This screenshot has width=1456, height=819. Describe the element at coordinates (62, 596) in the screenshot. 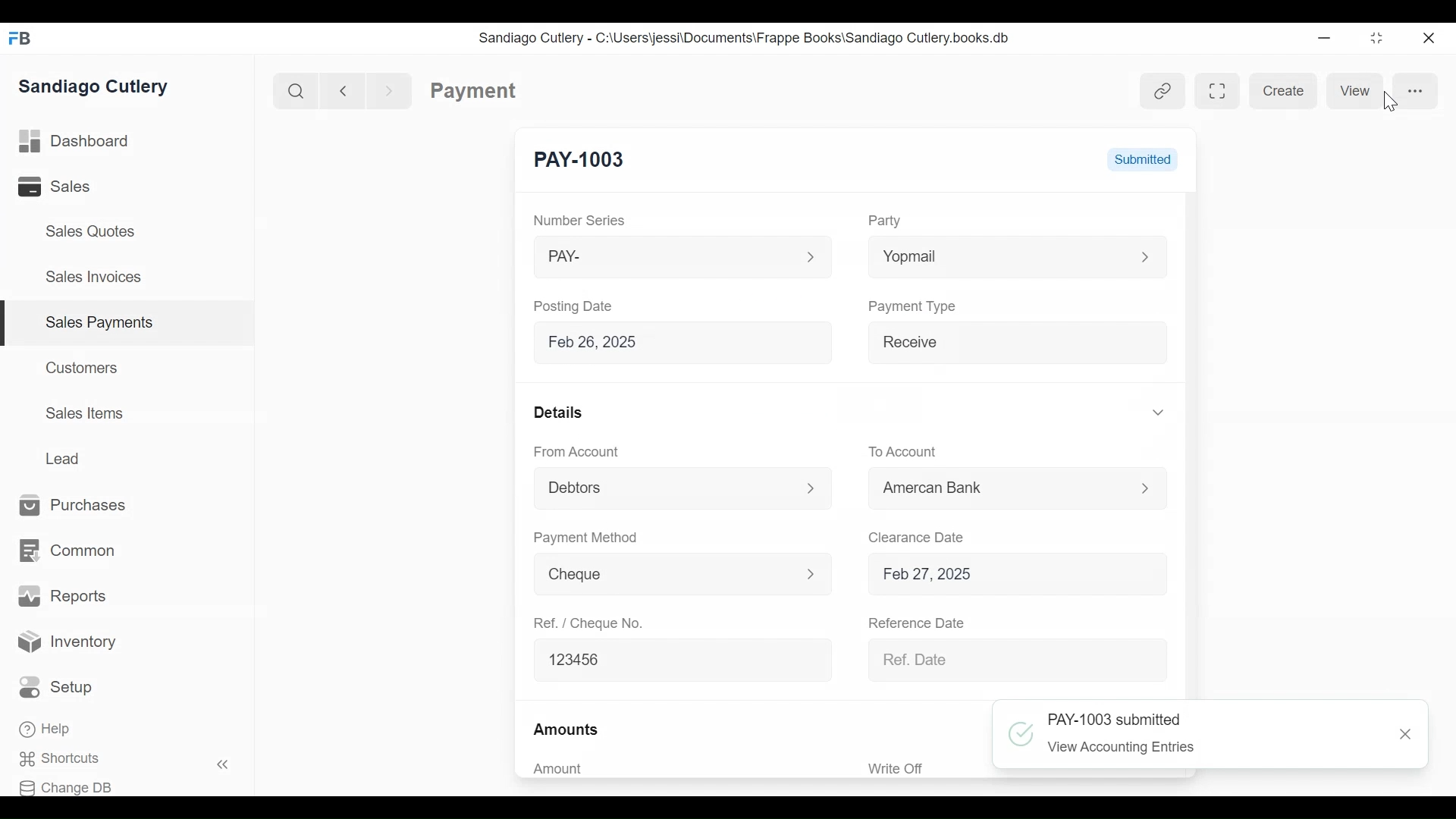

I see `Reports` at that location.